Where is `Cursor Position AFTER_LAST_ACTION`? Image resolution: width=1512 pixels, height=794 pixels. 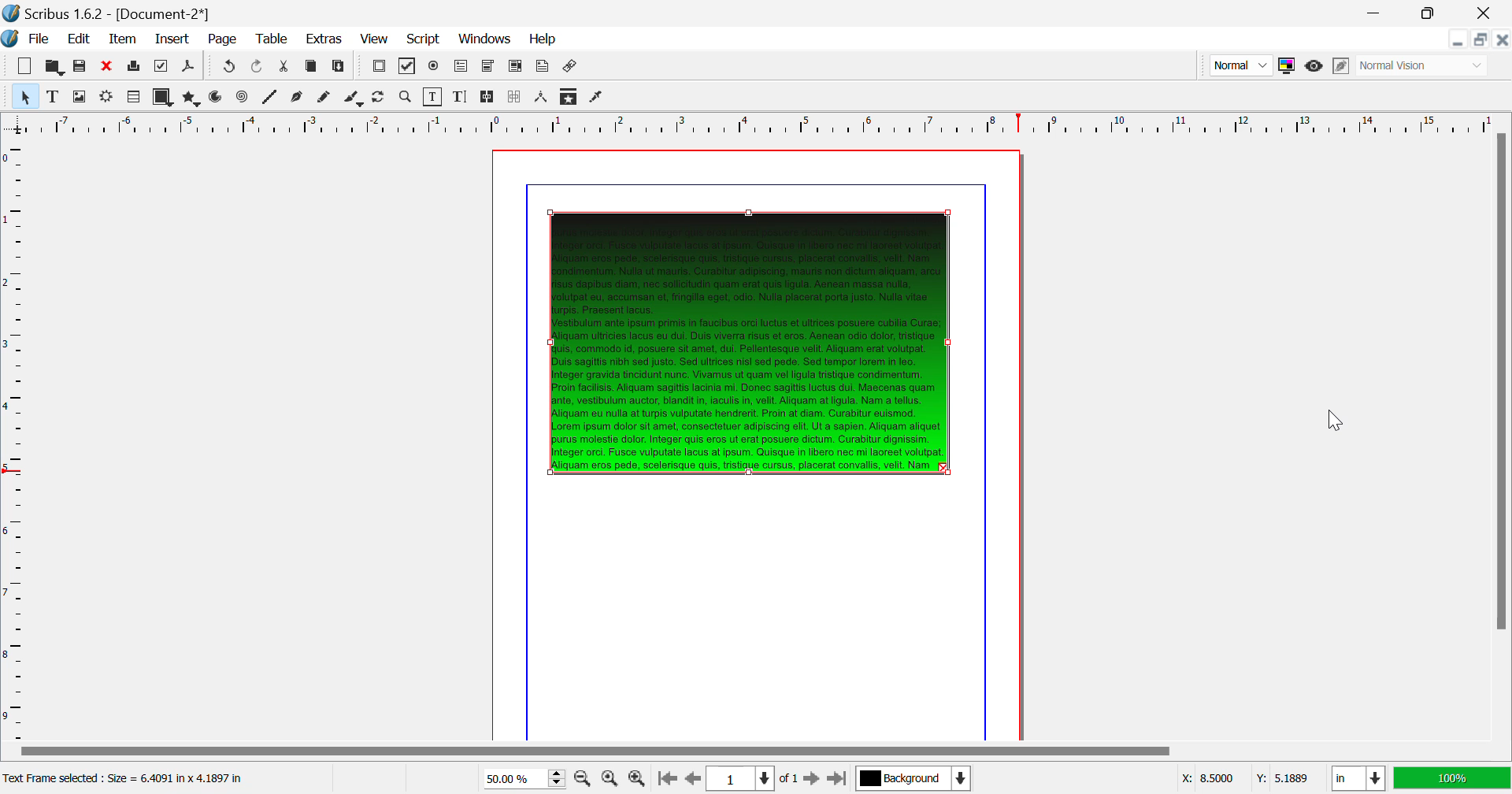 Cursor Position AFTER_LAST_ACTION is located at coordinates (1341, 425).